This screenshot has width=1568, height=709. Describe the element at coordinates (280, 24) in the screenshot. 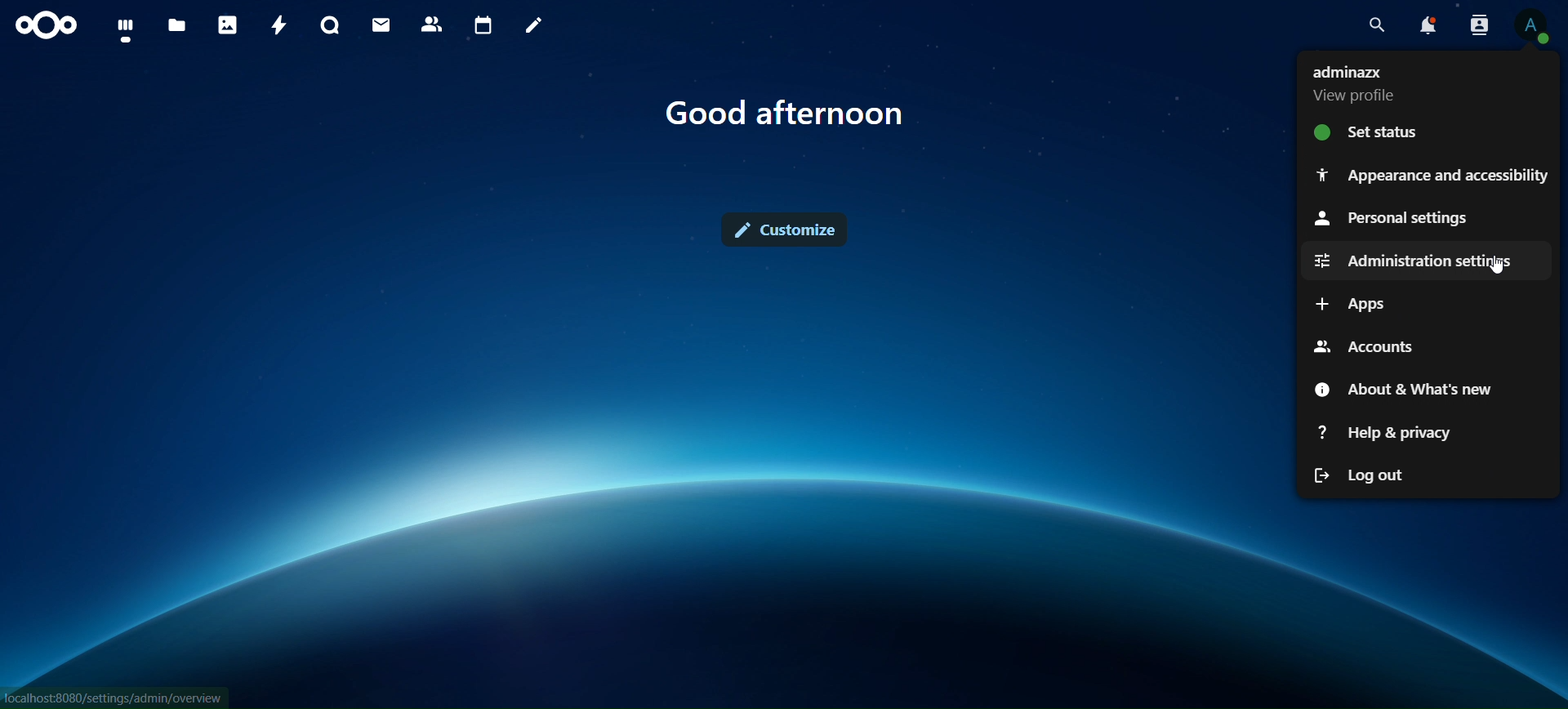

I see `activity` at that location.